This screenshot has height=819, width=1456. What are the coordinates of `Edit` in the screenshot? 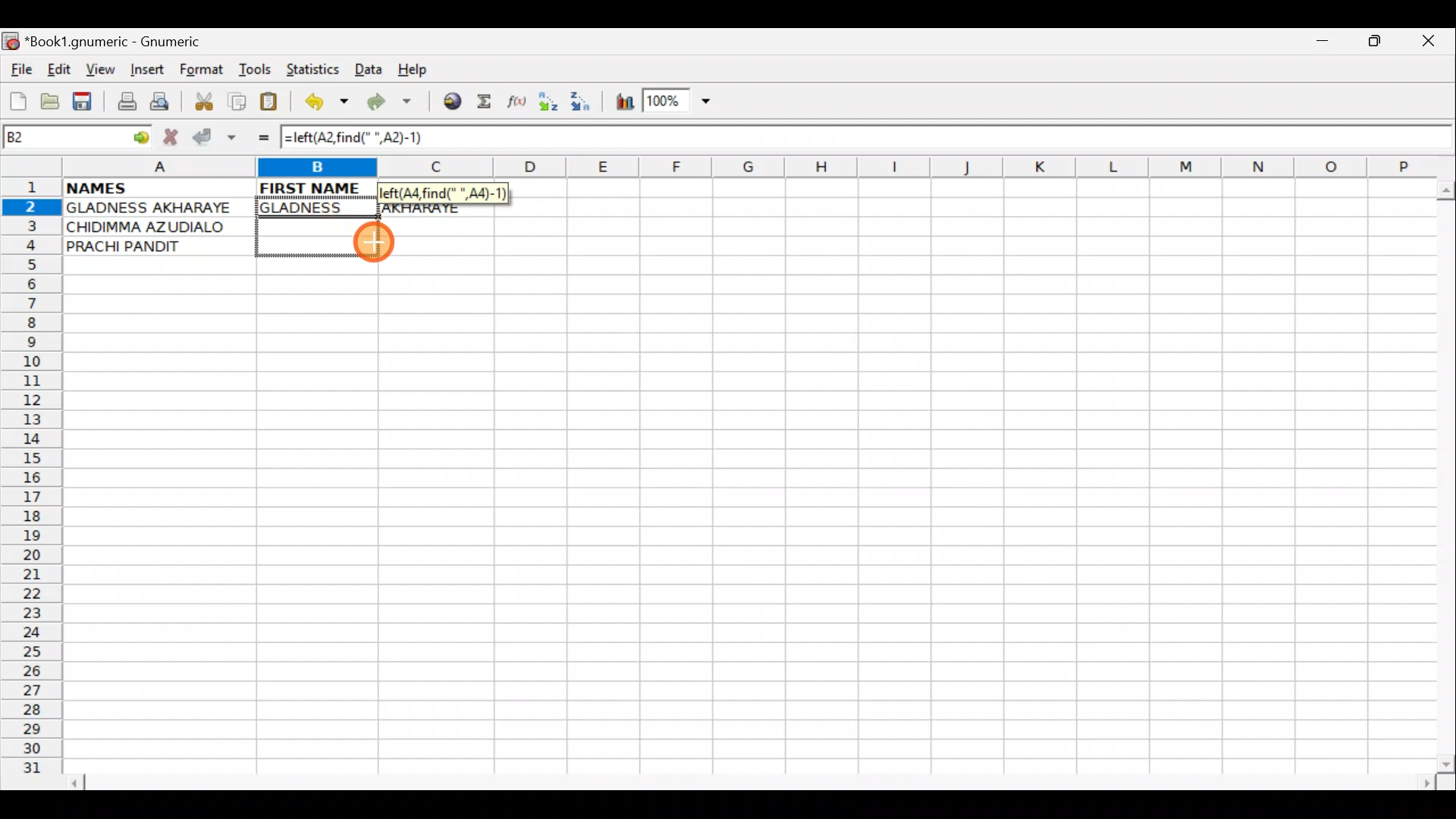 It's located at (58, 69).